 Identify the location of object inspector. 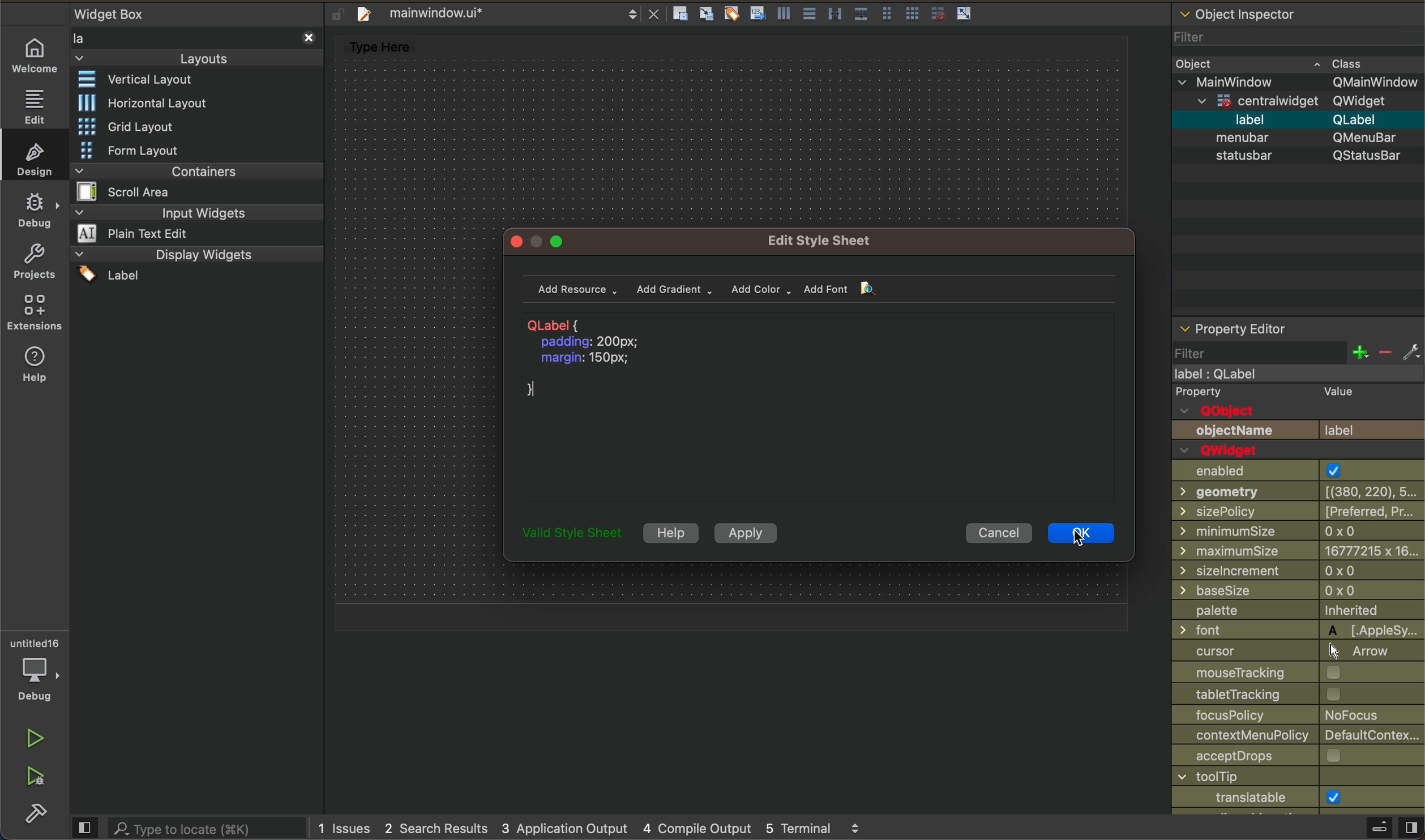
(1298, 28).